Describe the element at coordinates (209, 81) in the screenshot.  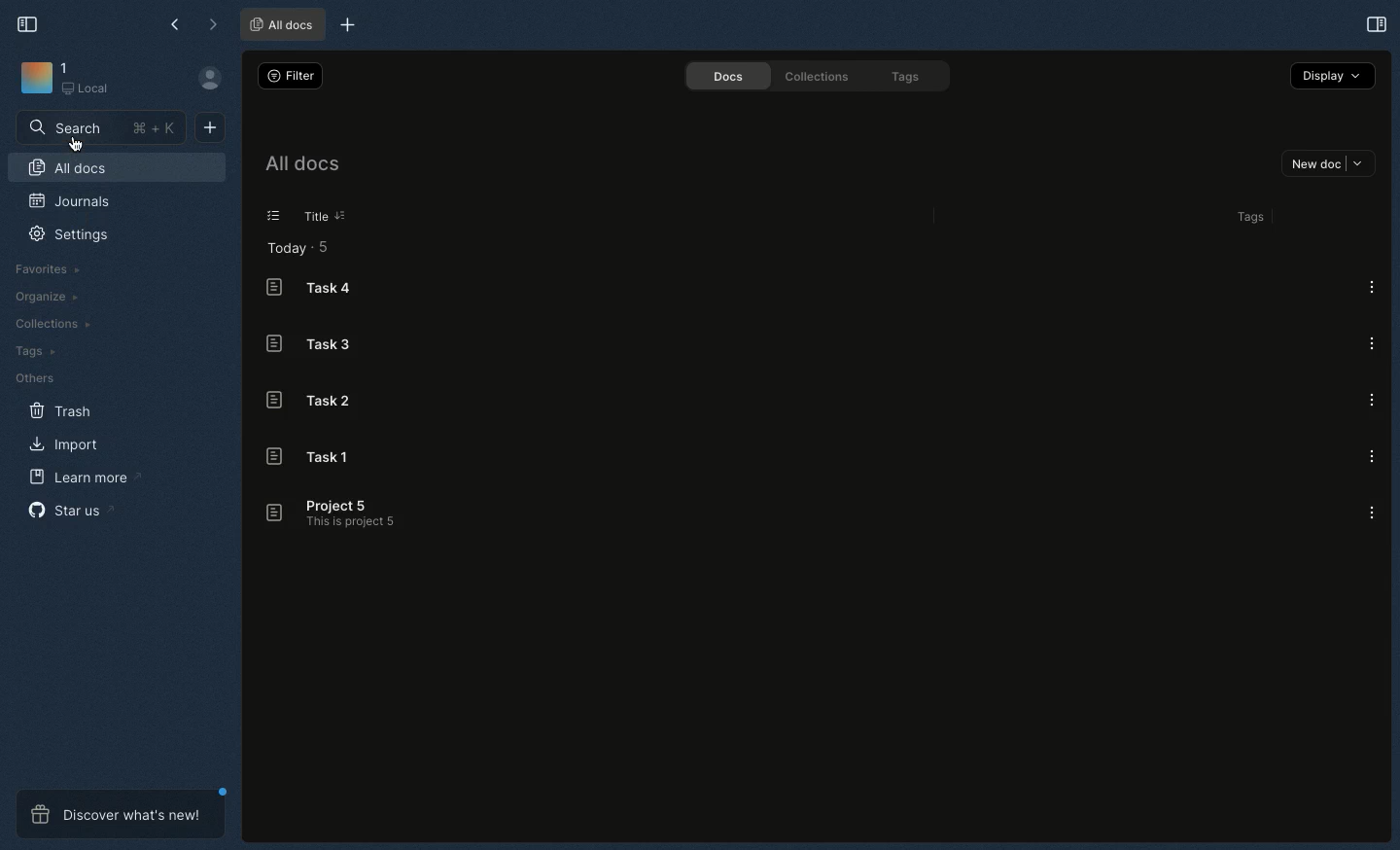
I see `User` at that location.